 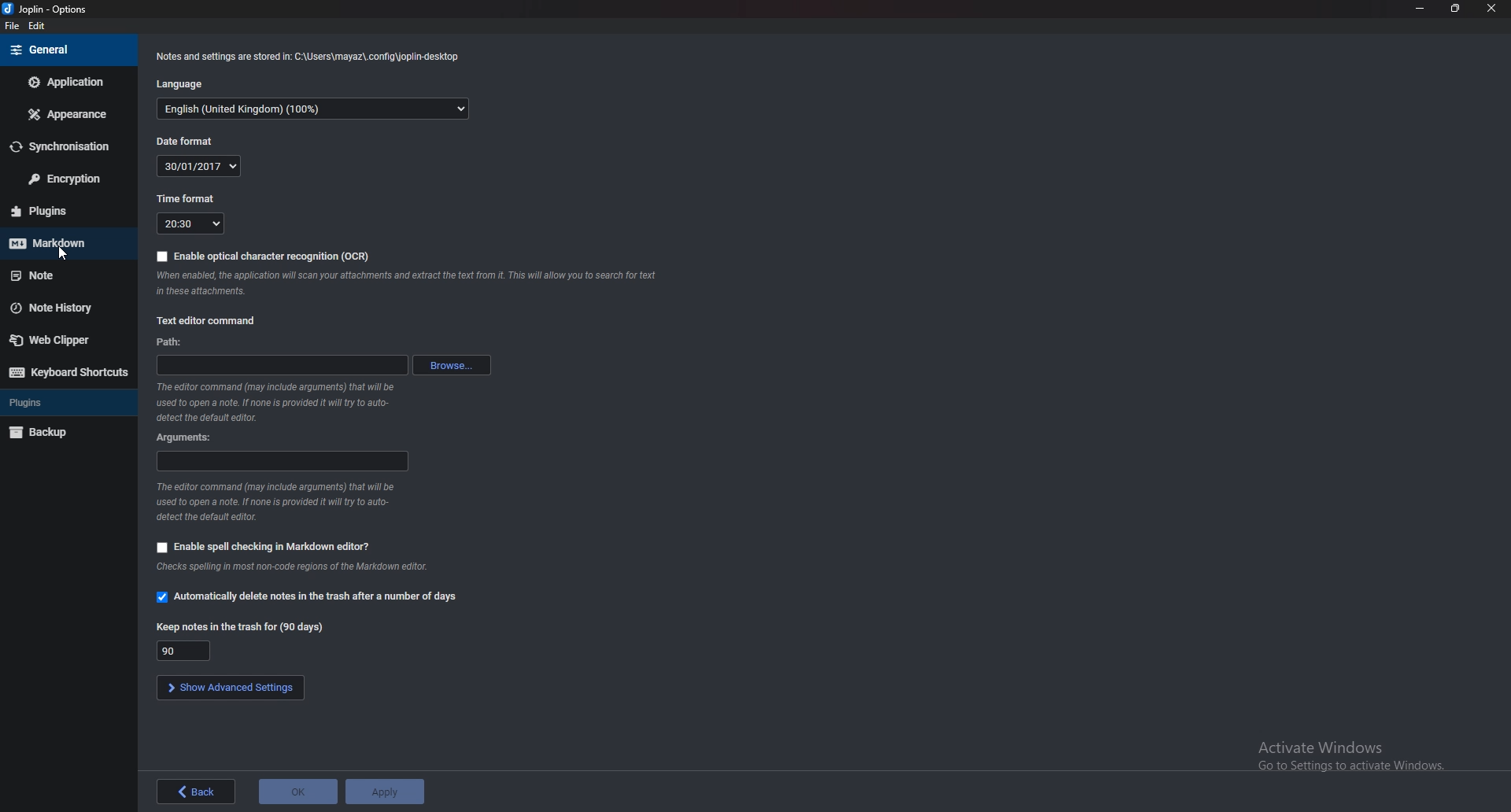 I want to click on Keep notes in the trash, so click(x=190, y=651).